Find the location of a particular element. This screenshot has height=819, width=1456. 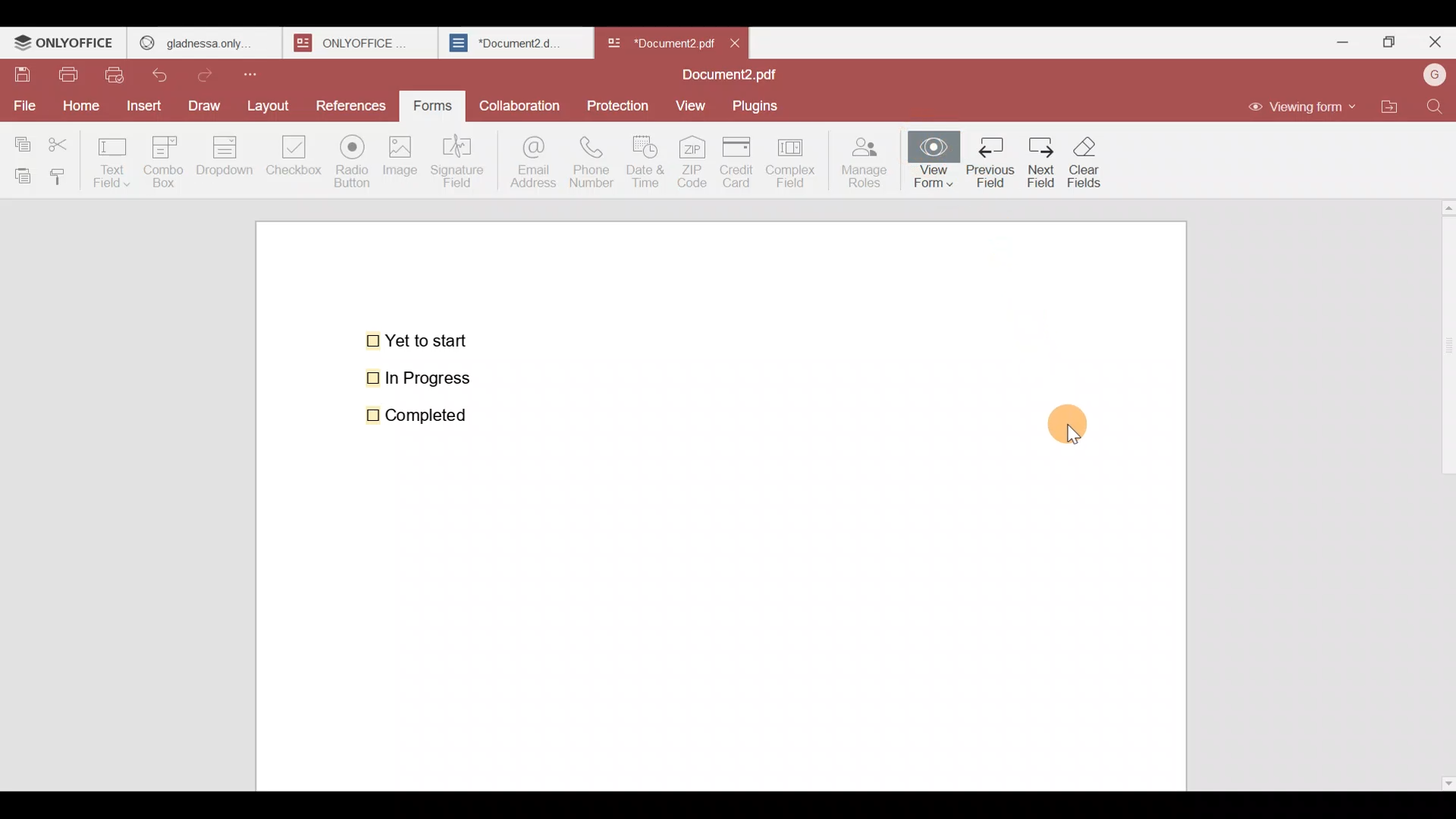

Cursor is located at coordinates (1073, 422).